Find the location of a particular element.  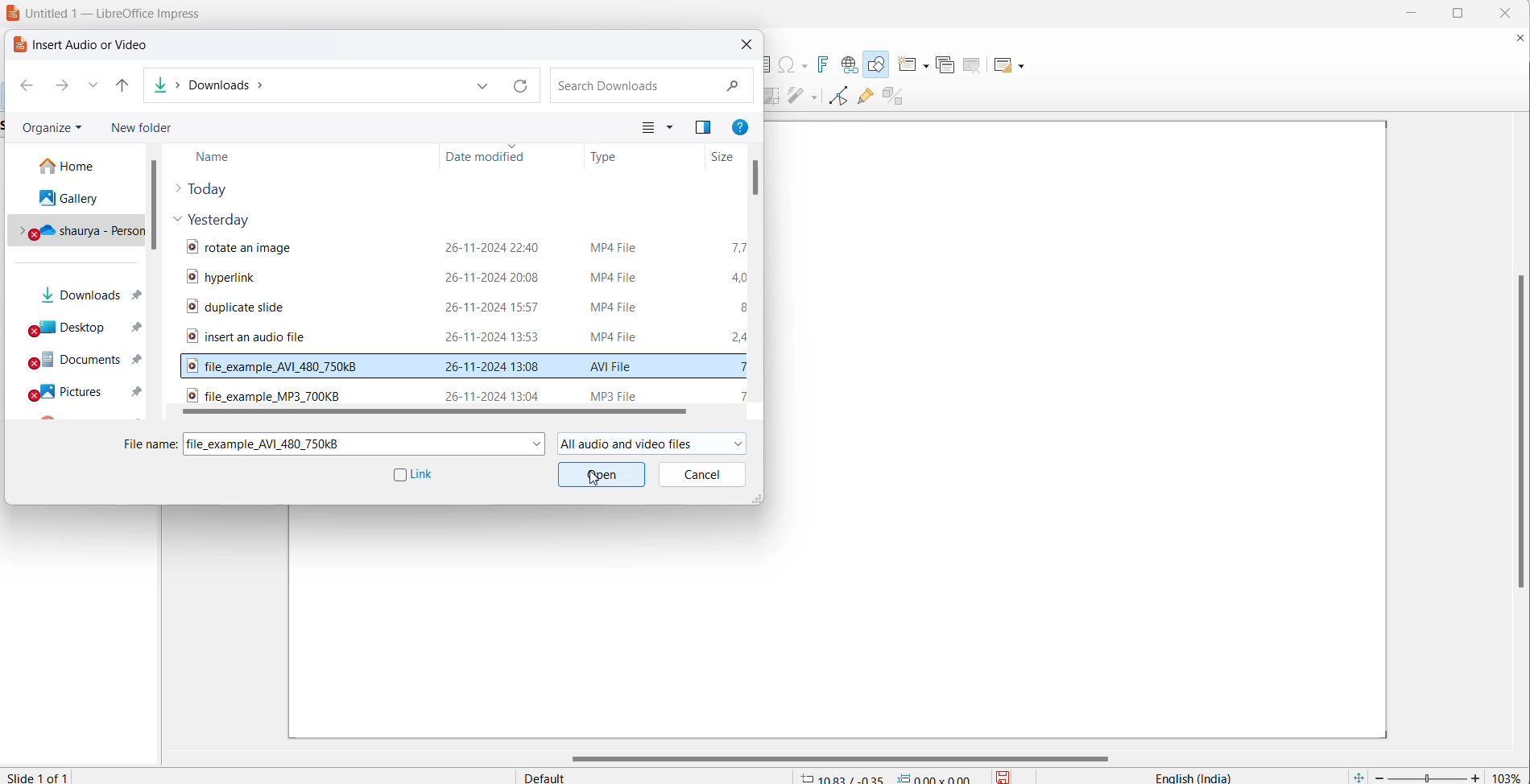

back is located at coordinates (28, 88).